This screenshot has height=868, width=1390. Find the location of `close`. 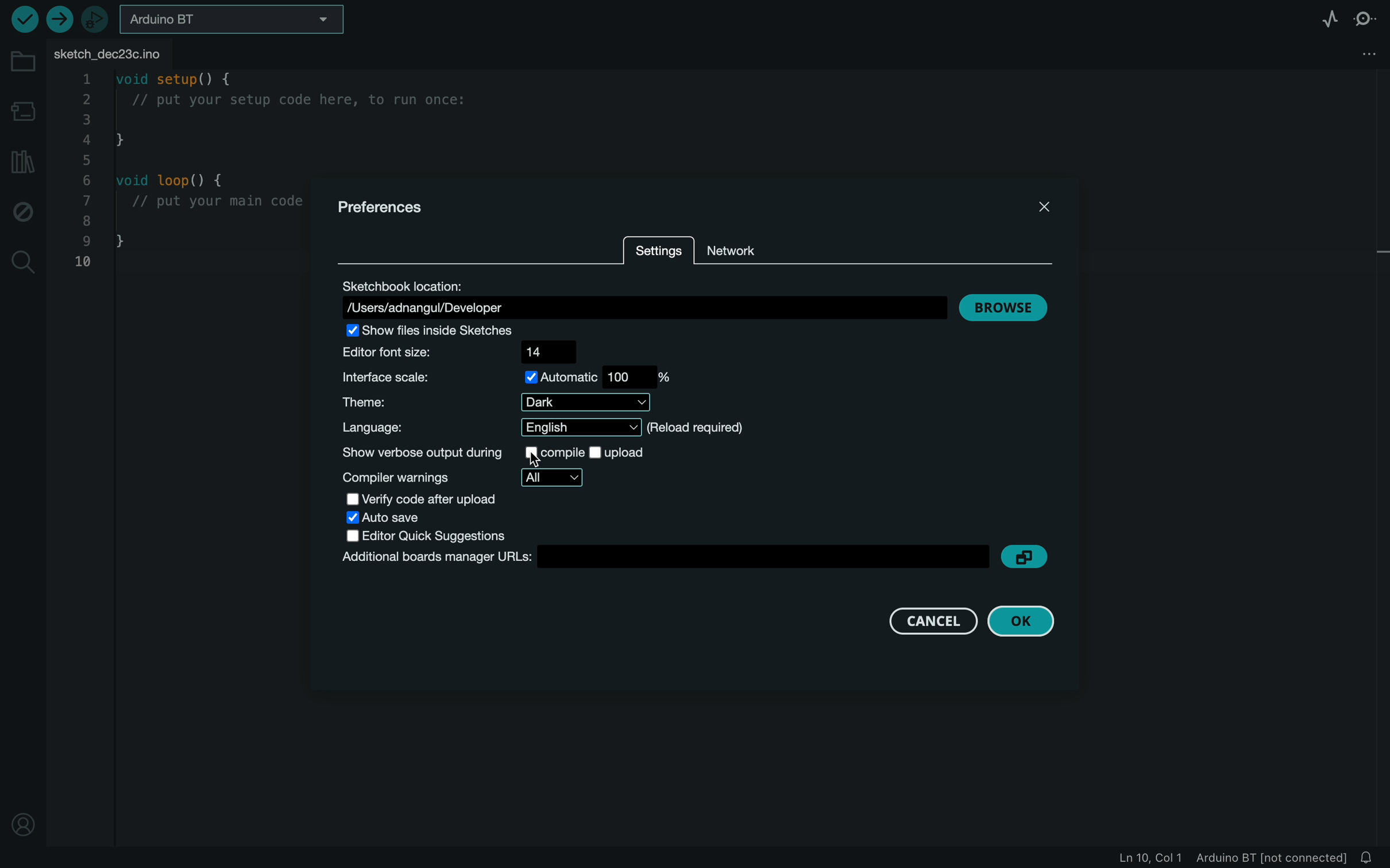

close is located at coordinates (1044, 209).